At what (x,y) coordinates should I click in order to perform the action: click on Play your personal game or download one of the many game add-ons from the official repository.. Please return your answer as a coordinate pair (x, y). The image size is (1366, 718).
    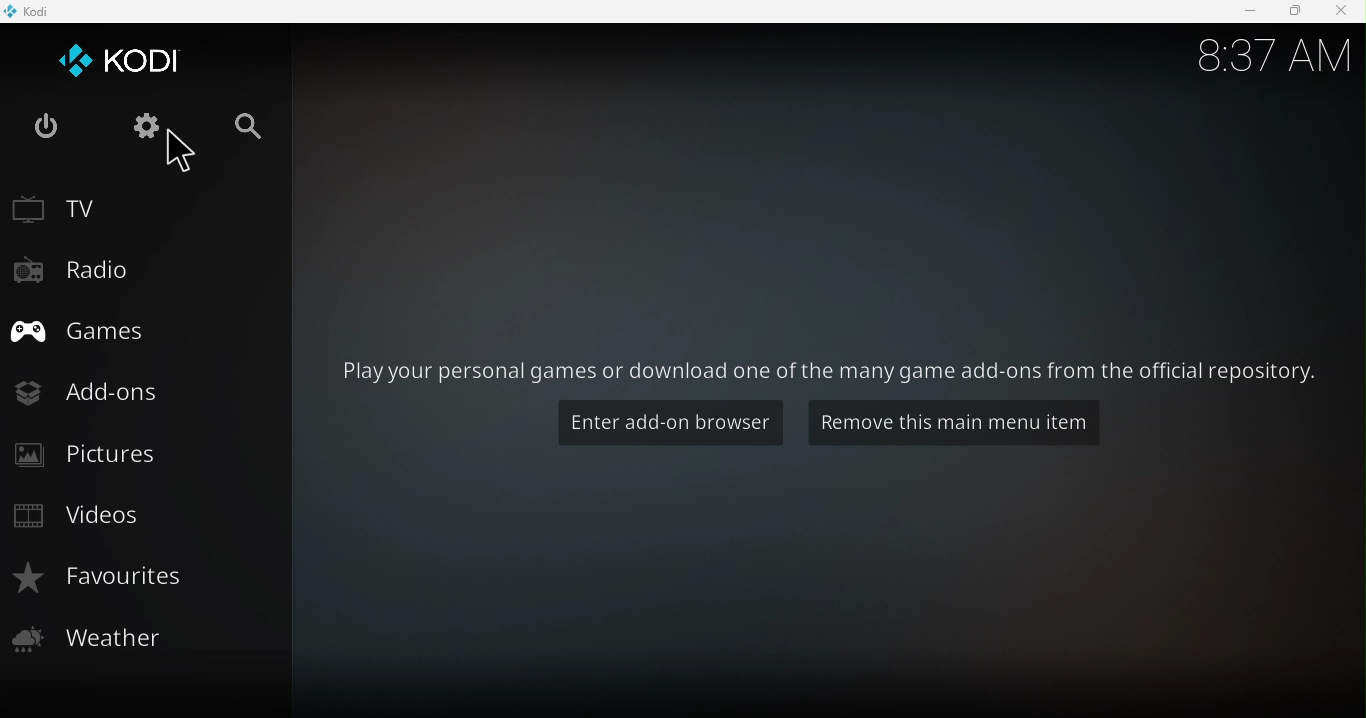
    Looking at the image, I should click on (829, 365).